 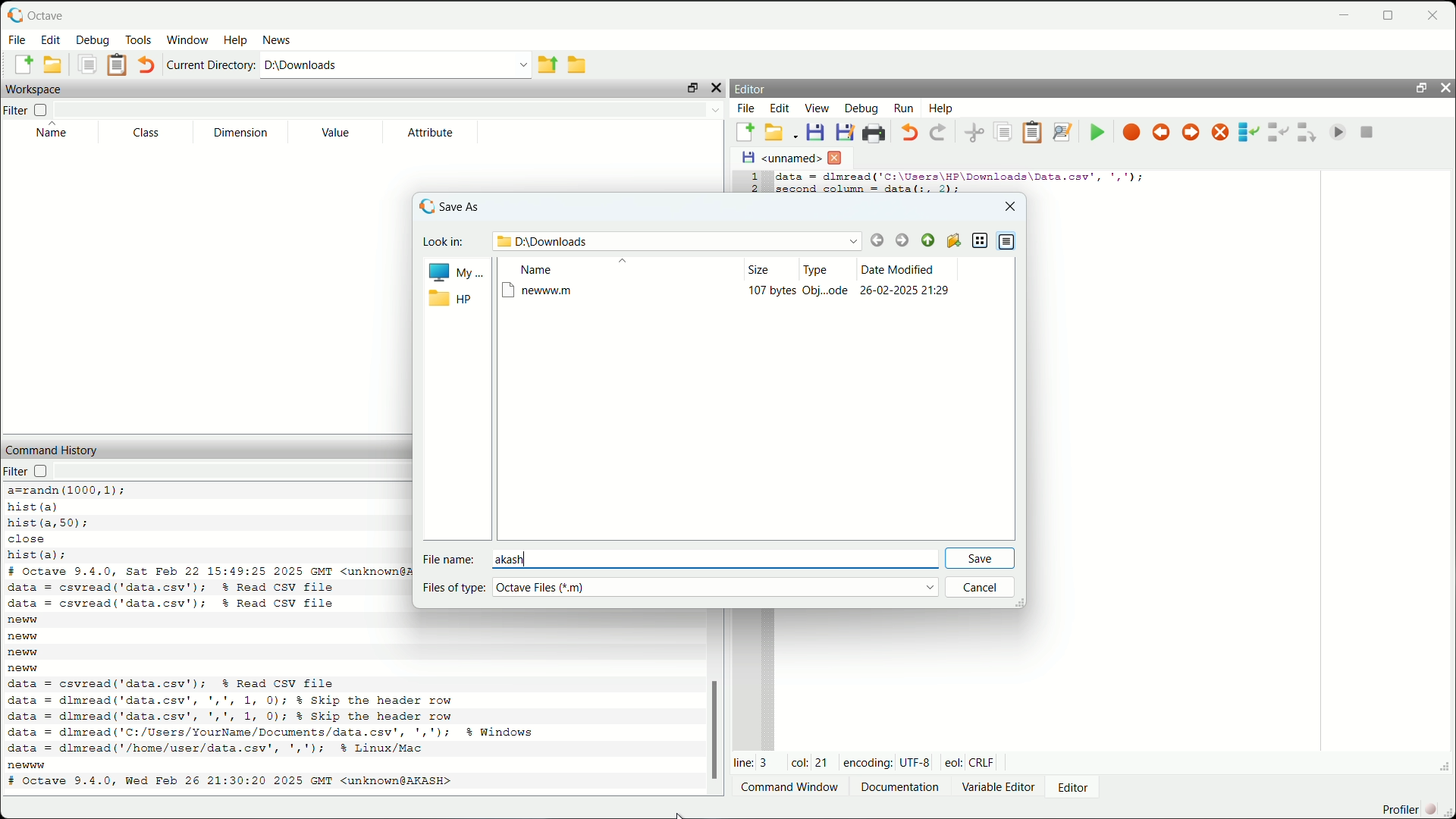 What do you see at coordinates (578, 64) in the screenshot?
I see `browse directories` at bounding box center [578, 64].